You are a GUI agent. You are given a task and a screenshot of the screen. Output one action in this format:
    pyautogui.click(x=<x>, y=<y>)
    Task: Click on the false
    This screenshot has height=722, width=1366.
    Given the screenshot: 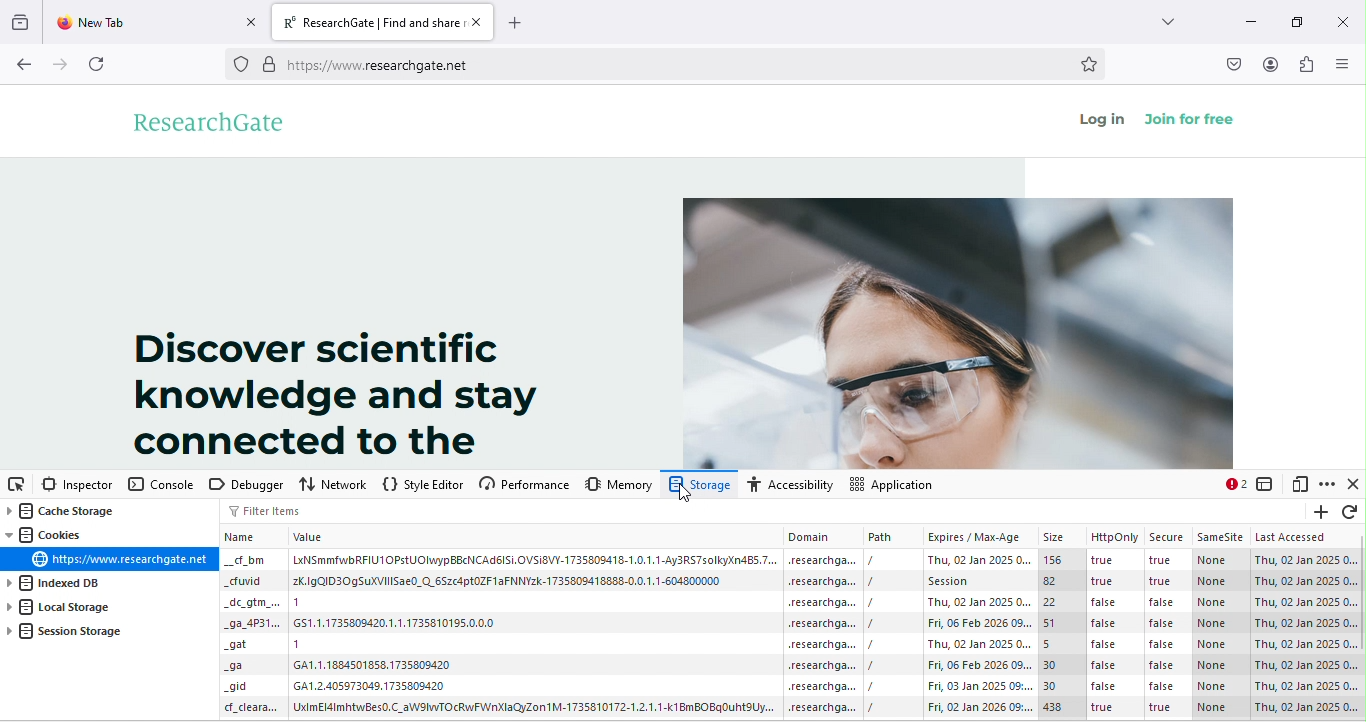 What is the action you would take?
    pyautogui.click(x=1103, y=686)
    